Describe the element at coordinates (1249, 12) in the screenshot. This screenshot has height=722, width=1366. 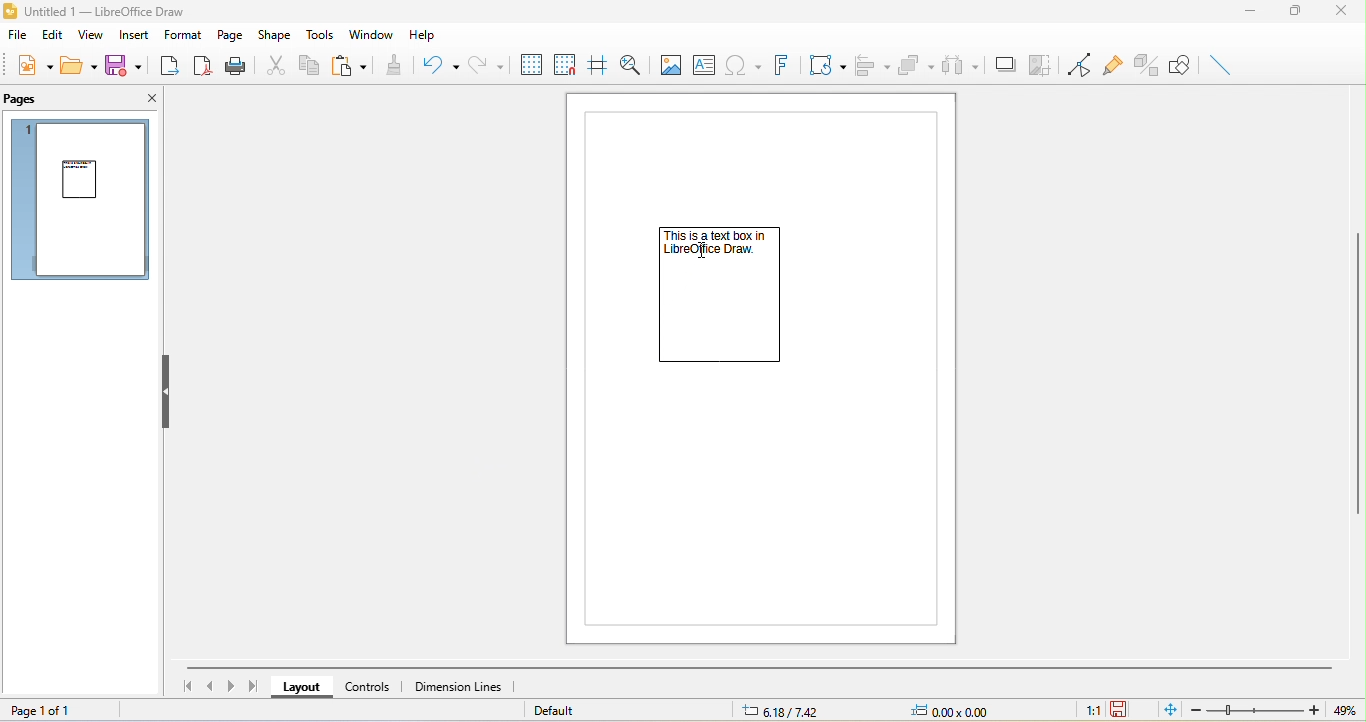
I see `minimize` at that location.